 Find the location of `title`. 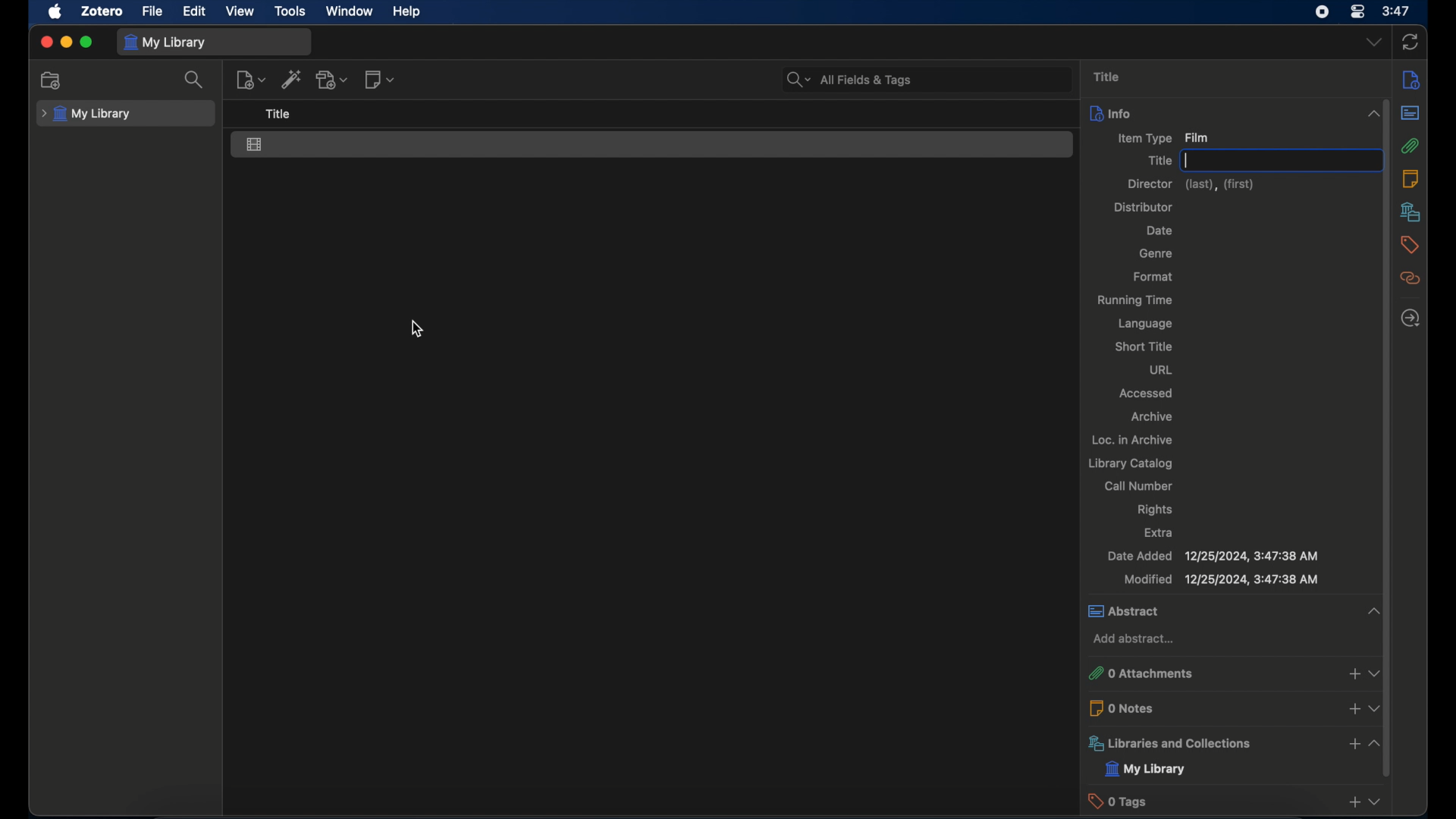

title is located at coordinates (1106, 77).